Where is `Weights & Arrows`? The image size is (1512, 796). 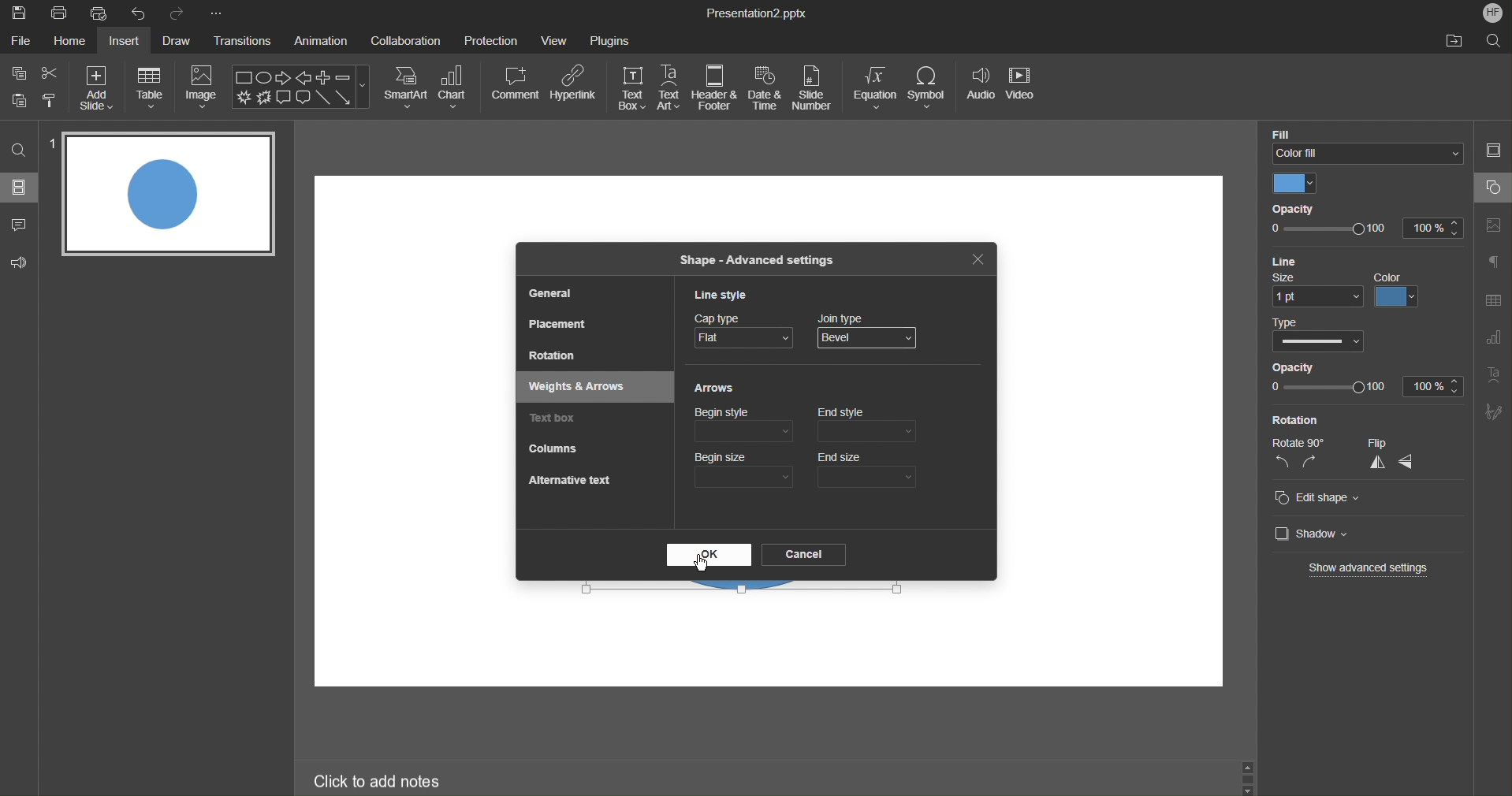 Weights & Arrows is located at coordinates (585, 388).